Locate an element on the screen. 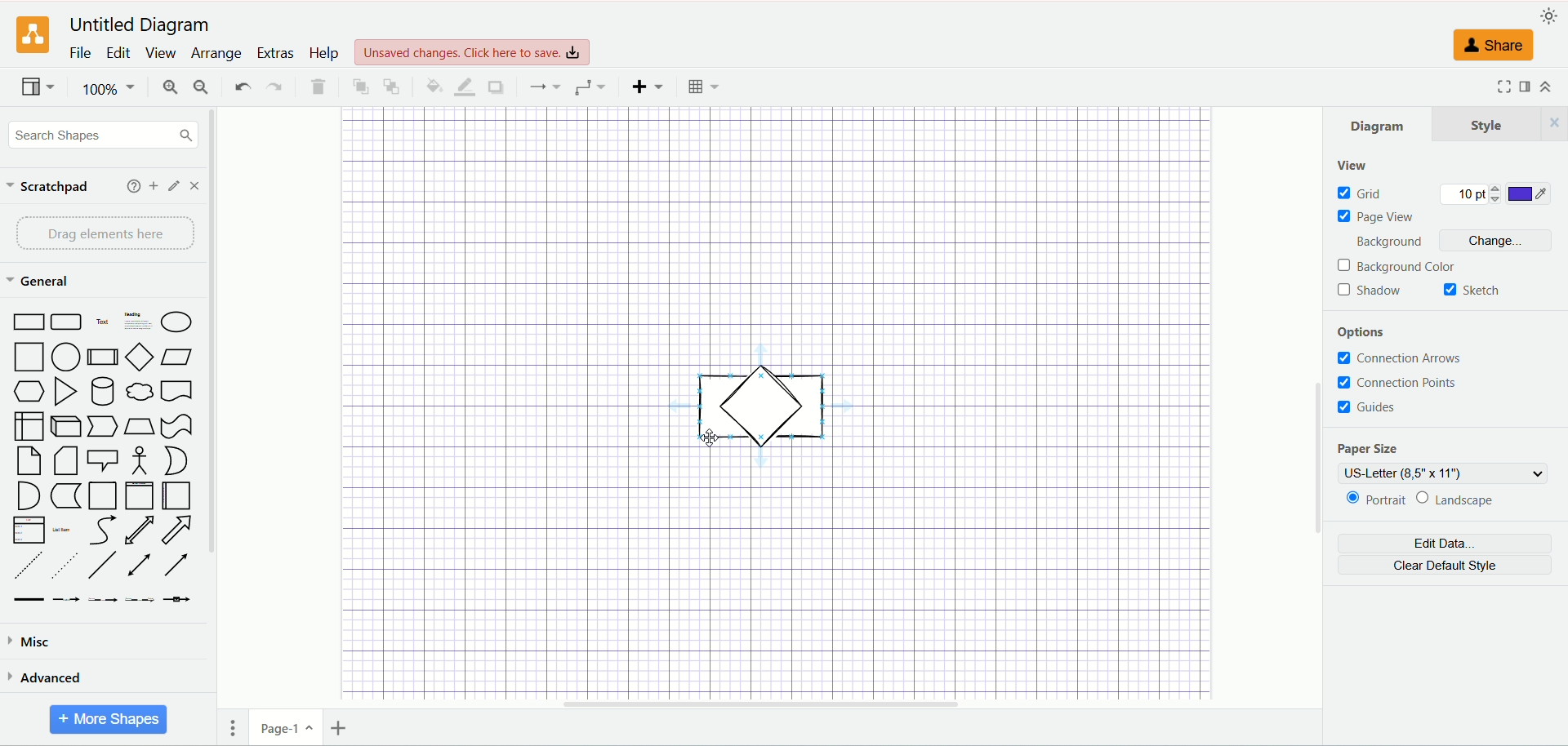 The image size is (1568, 746). view is located at coordinates (1349, 163).